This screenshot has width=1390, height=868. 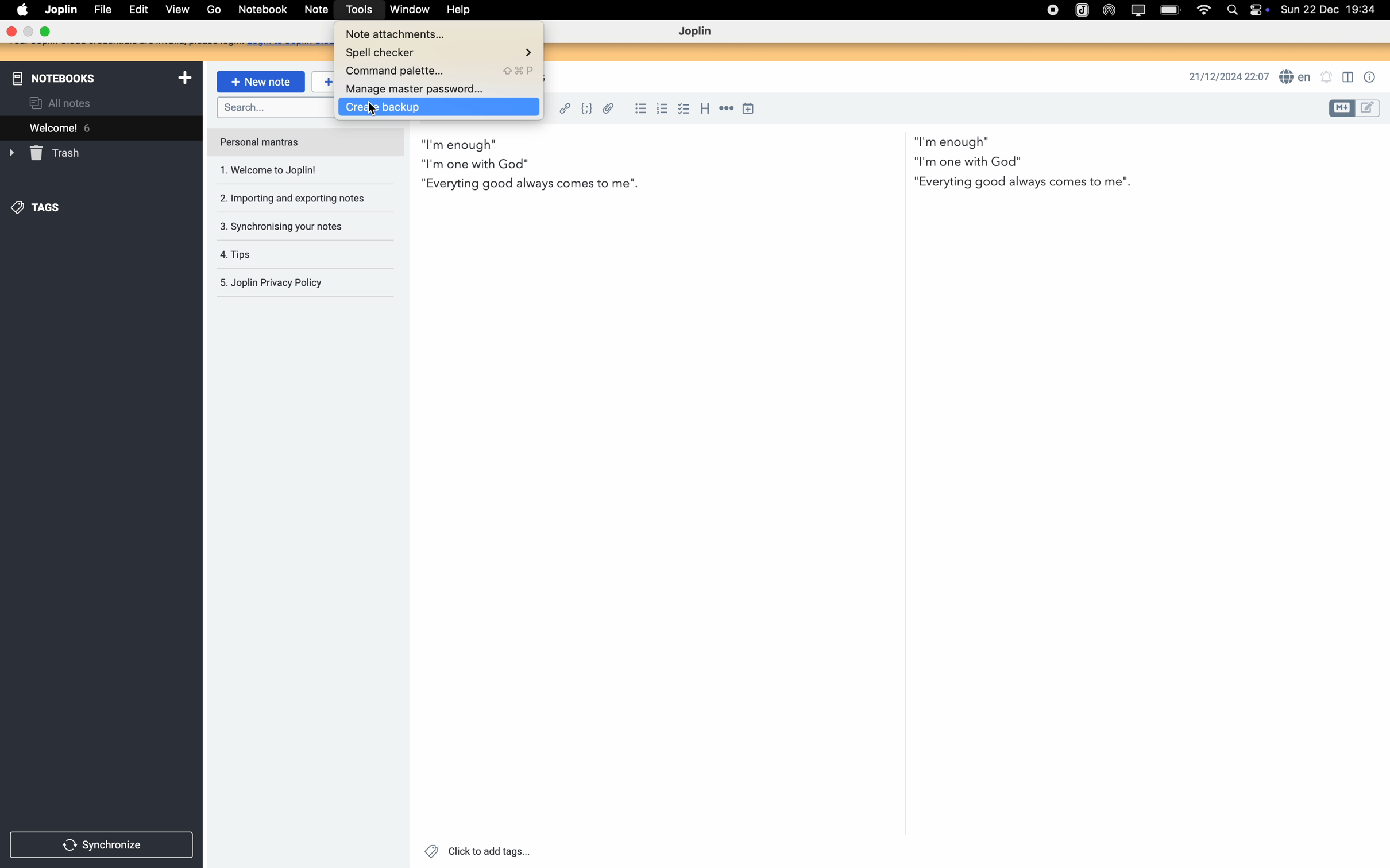 What do you see at coordinates (61, 9) in the screenshot?
I see `Joplin` at bounding box center [61, 9].